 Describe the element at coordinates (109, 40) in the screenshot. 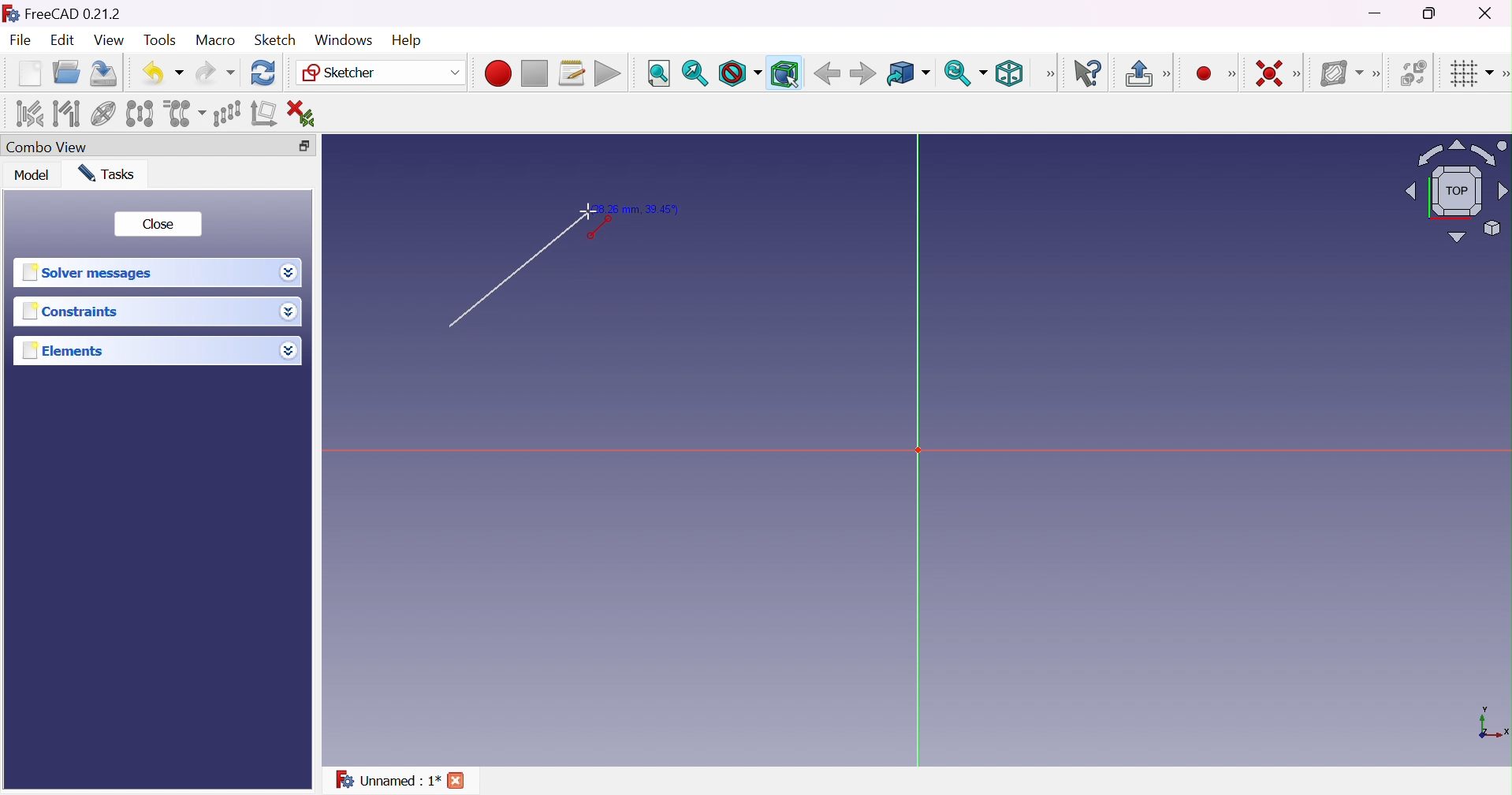

I see `View` at that location.